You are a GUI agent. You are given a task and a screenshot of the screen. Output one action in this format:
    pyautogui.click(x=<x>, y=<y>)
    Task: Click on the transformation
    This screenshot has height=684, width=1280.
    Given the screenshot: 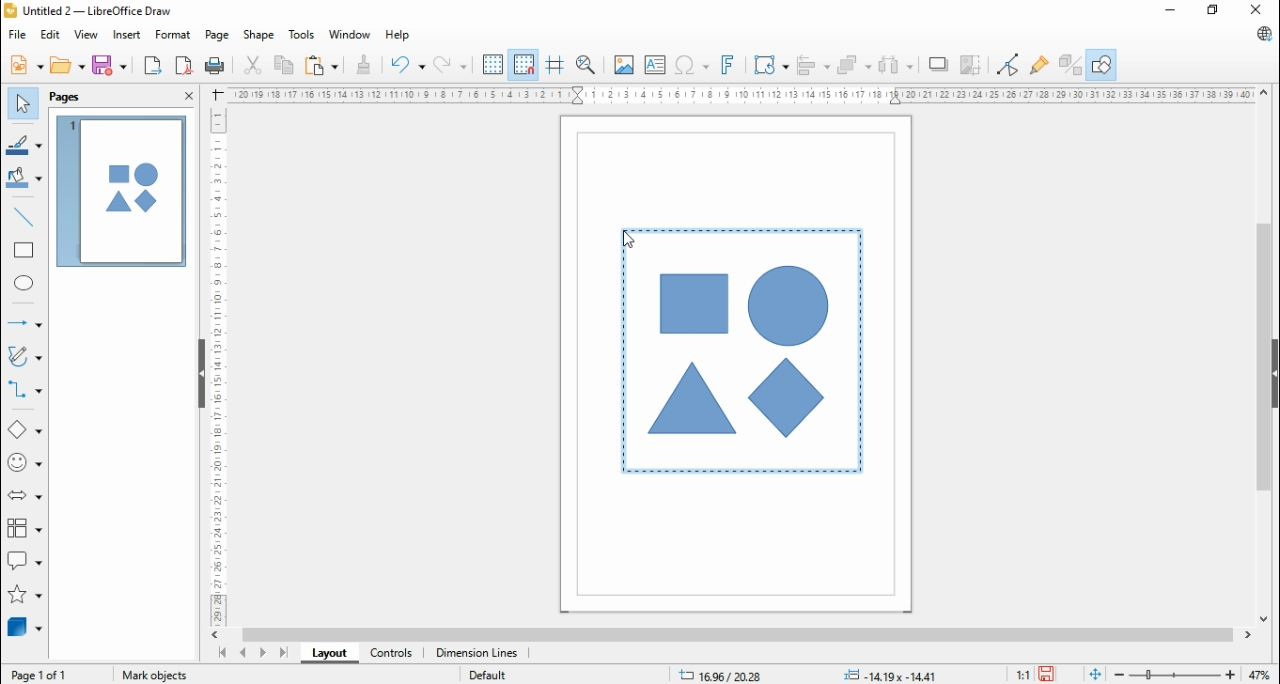 What is the action you would take?
    pyautogui.click(x=771, y=64)
    